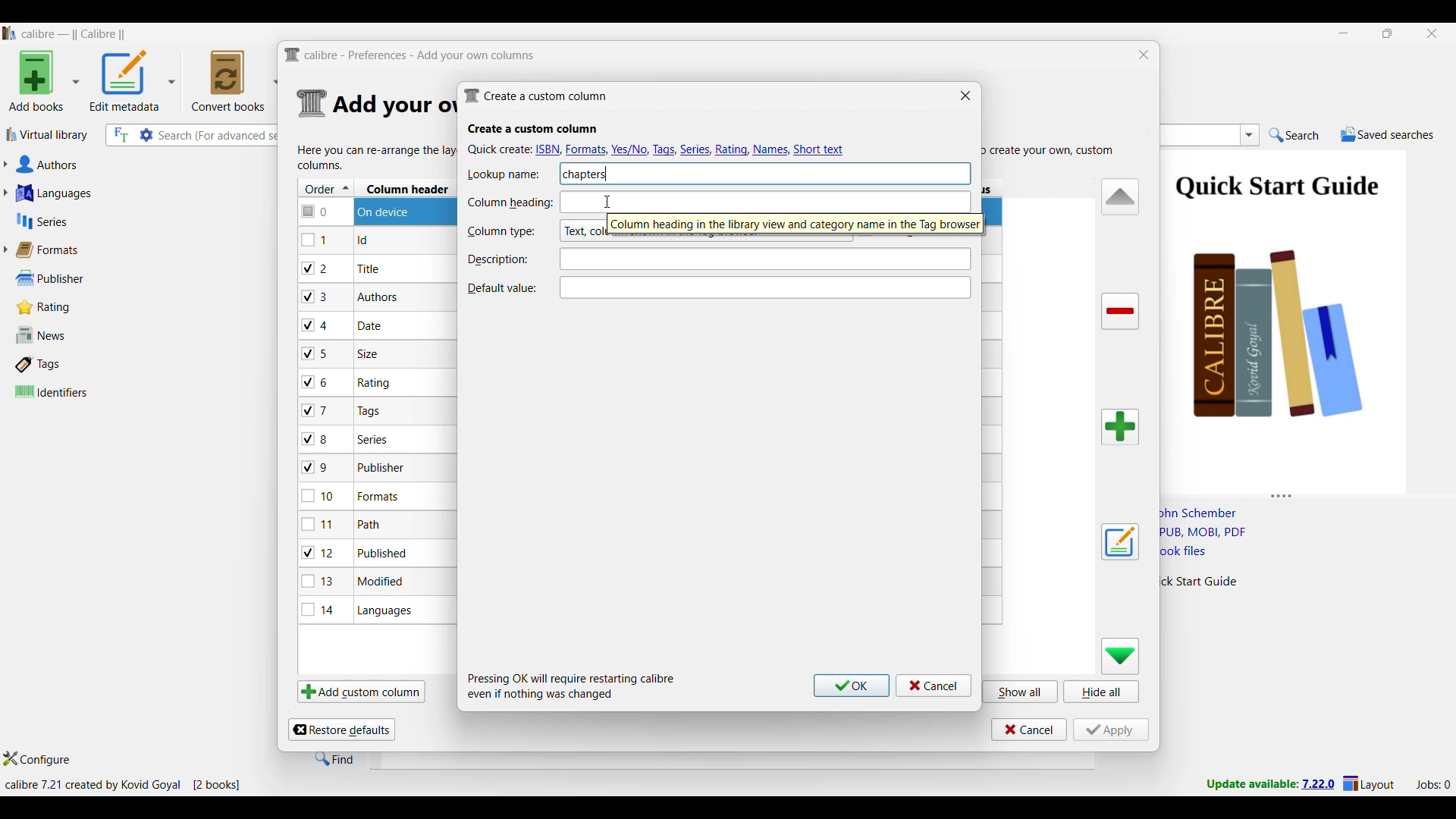 Image resolution: width=1456 pixels, height=819 pixels. I want to click on Saved searches, so click(1387, 134).